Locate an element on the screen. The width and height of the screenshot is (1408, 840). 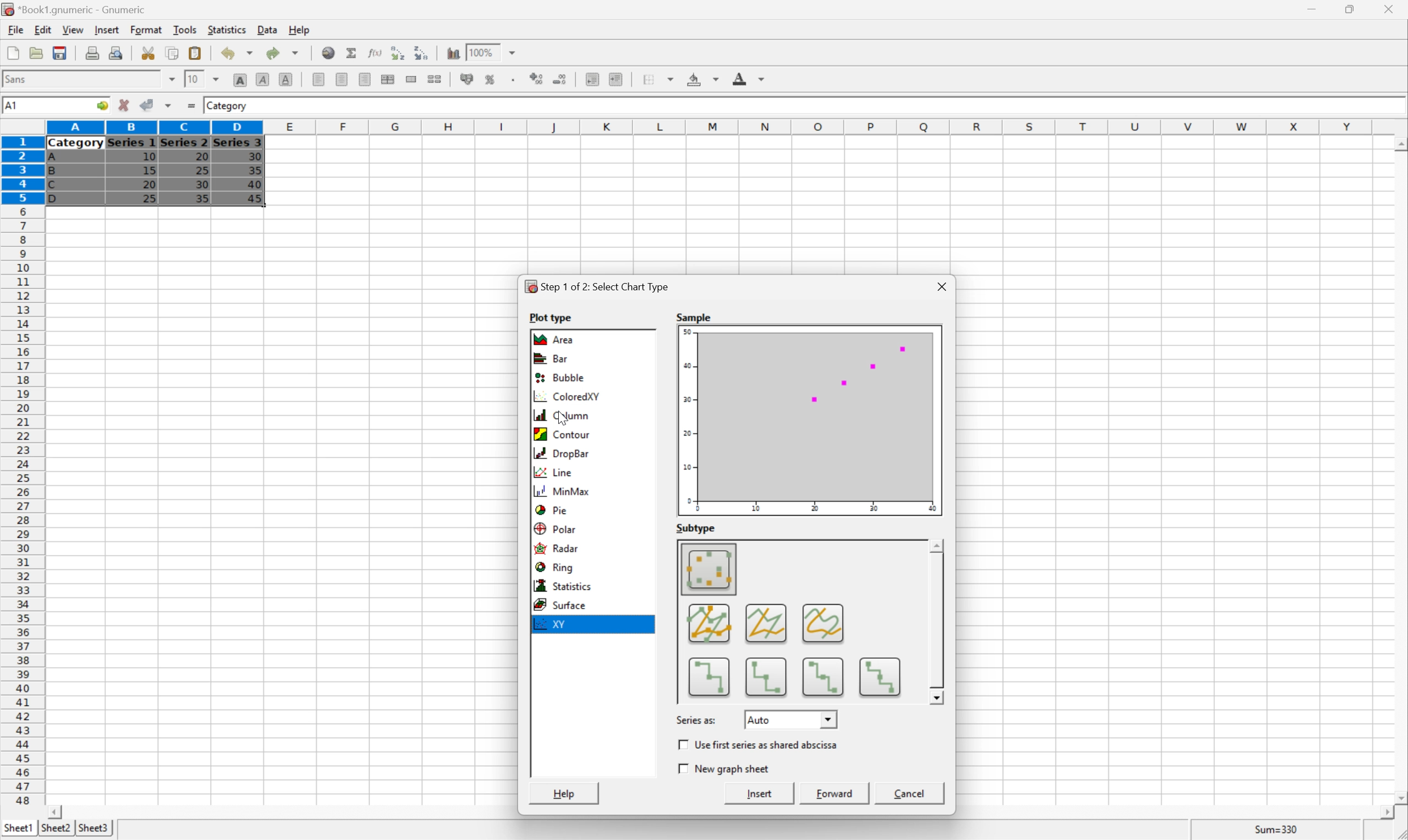
Drop Down is located at coordinates (216, 80).